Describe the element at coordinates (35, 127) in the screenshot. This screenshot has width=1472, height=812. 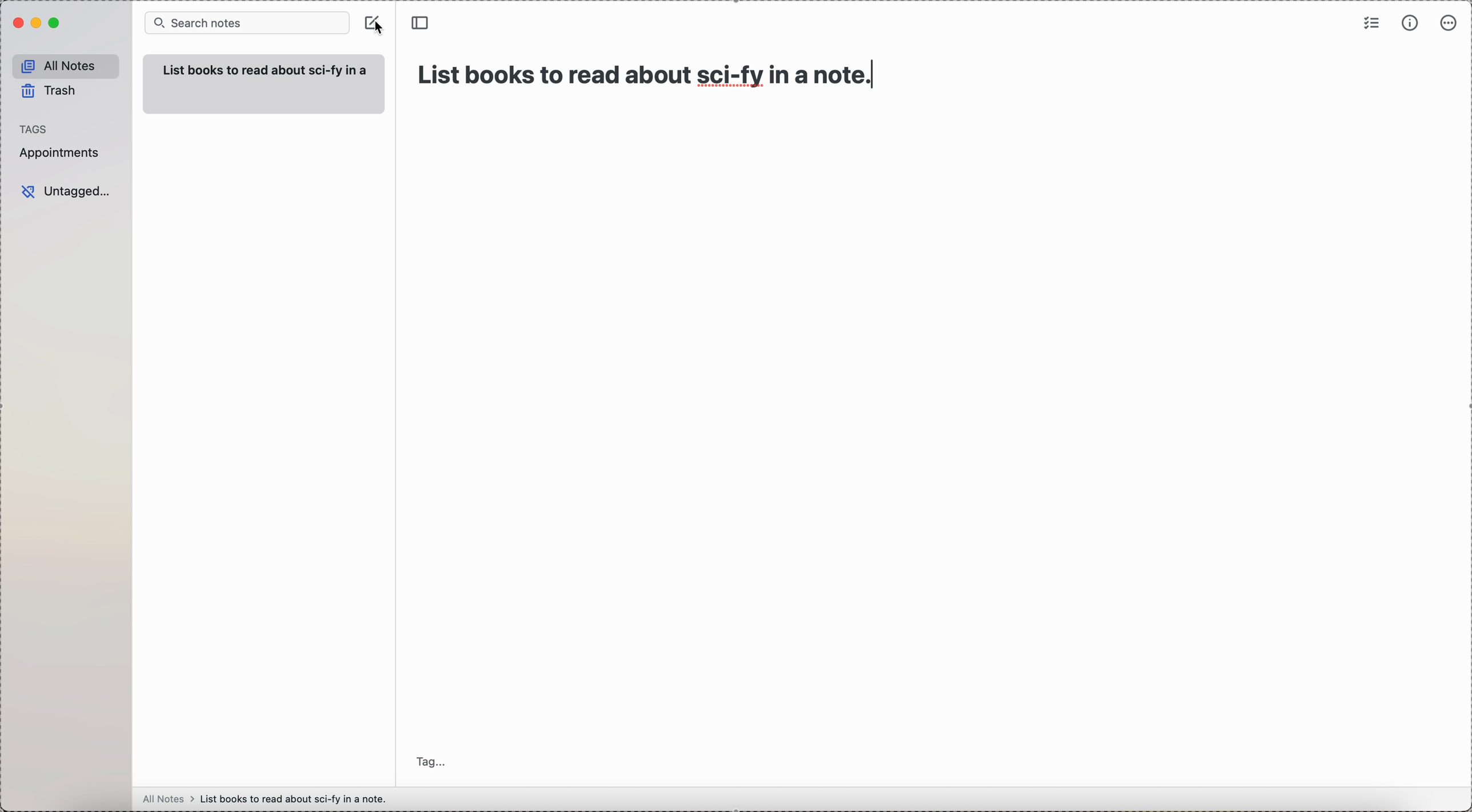
I see `tags` at that location.